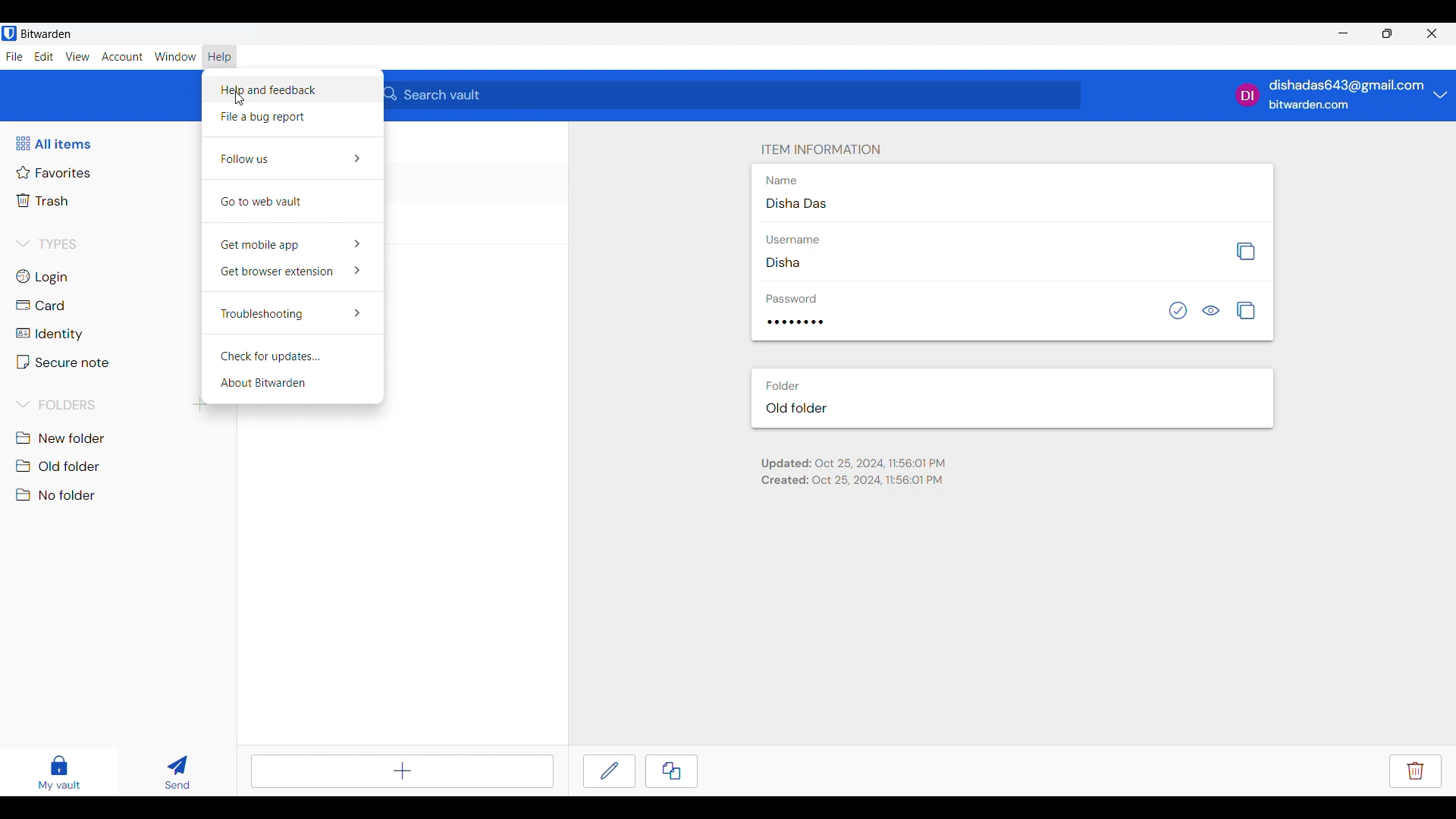 The width and height of the screenshot is (1456, 819). What do you see at coordinates (44, 56) in the screenshot?
I see `Edit menu` at bounding box center [44, 56].